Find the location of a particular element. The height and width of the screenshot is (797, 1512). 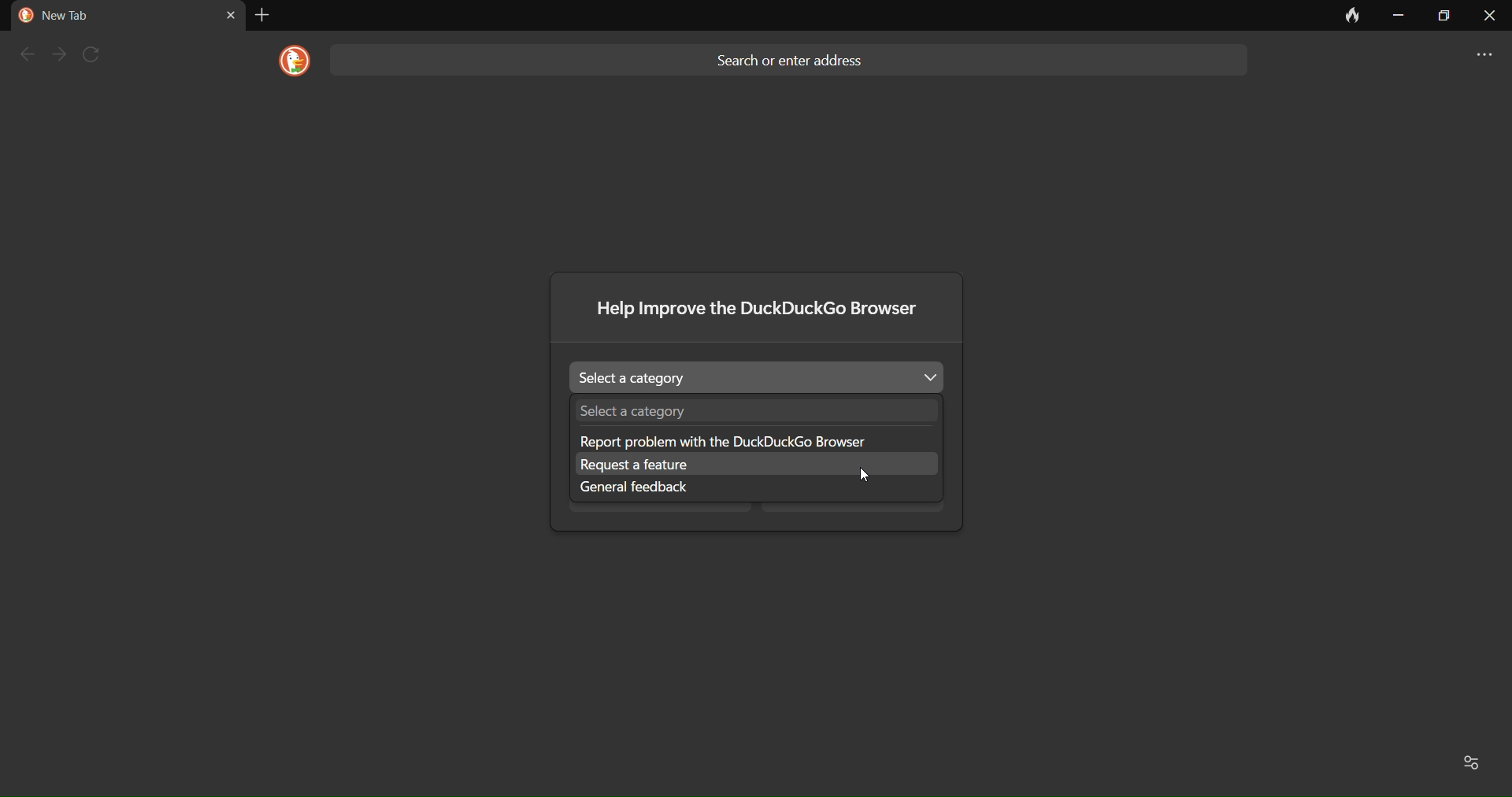

Select a category is located at coordinates (755, 410).